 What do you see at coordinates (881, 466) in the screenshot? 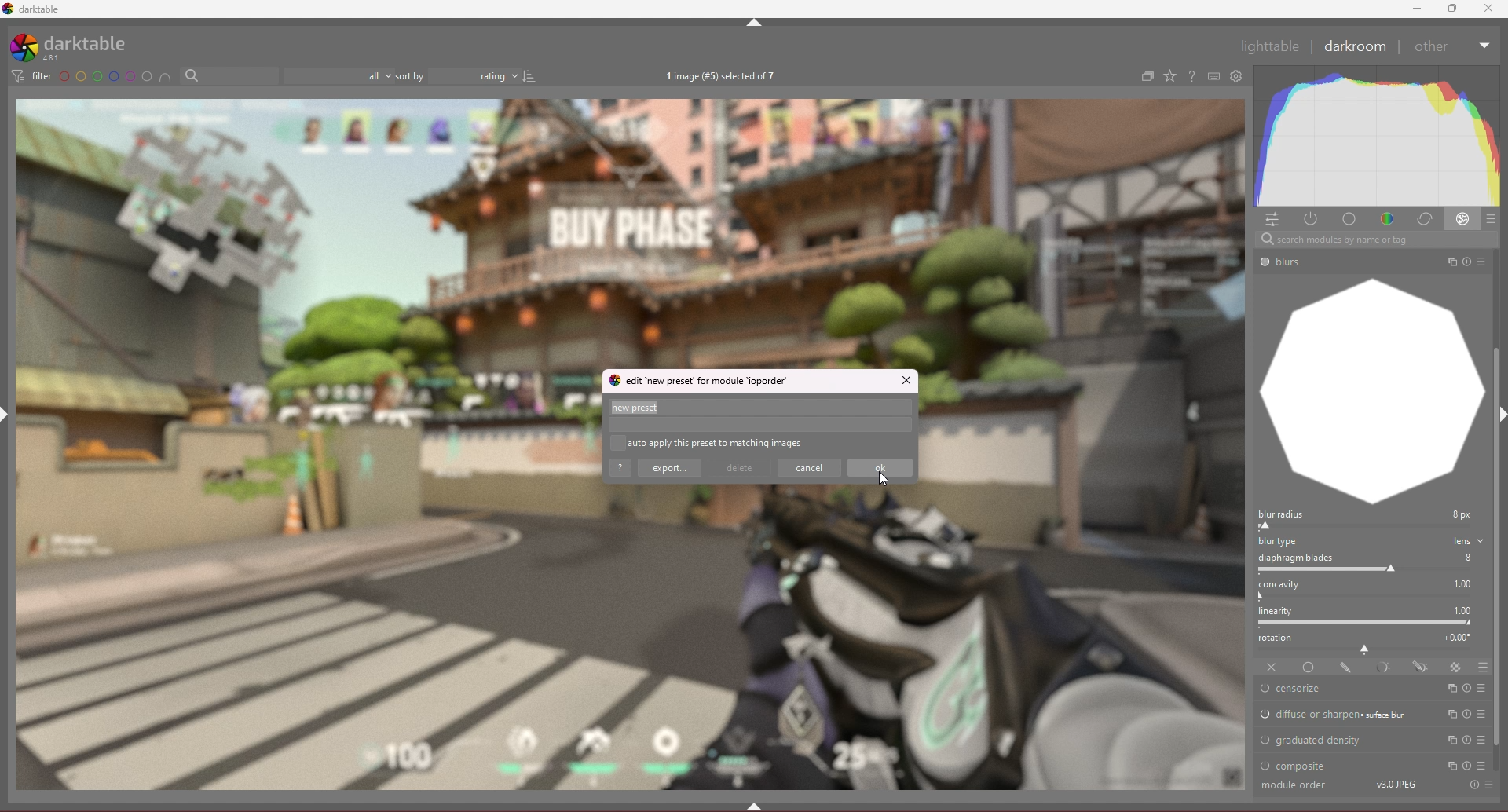
I see `ok` at bounding box center [881, 466].